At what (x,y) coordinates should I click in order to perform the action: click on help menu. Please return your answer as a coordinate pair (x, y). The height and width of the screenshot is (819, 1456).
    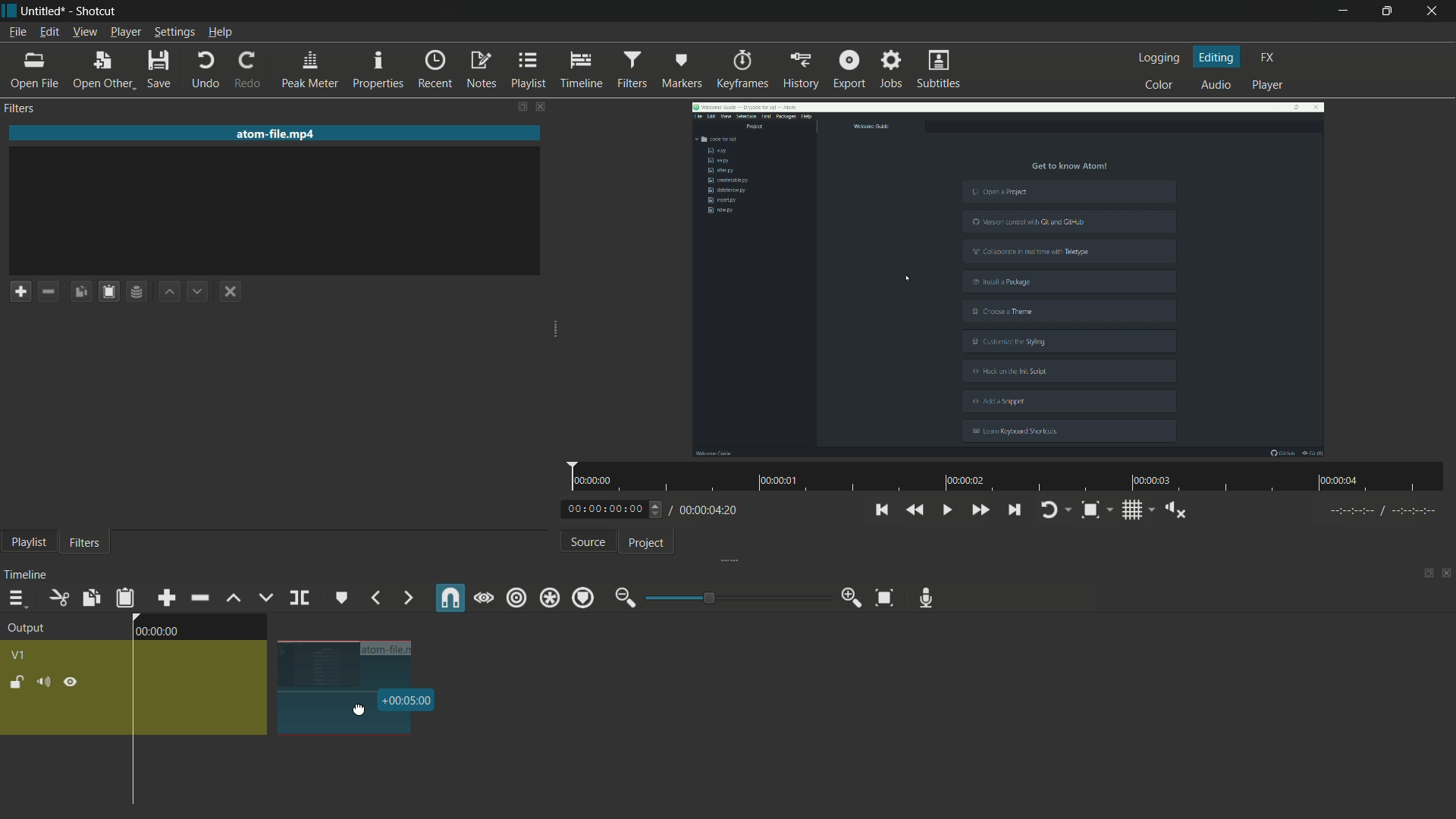
    Looking at the image, I should click on (220, 32).